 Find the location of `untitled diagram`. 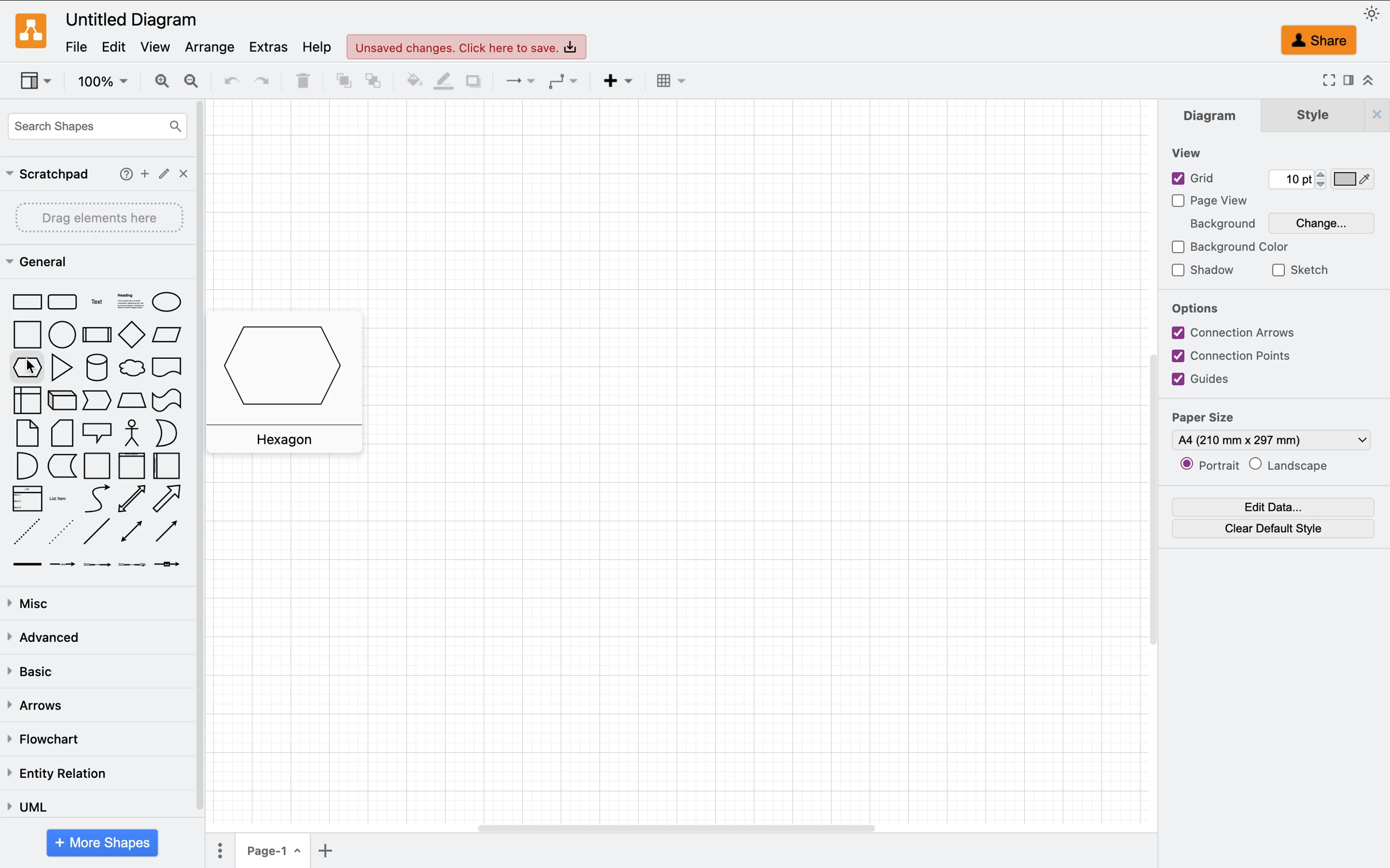

untitled diagram is located at coordinates (133, 21).